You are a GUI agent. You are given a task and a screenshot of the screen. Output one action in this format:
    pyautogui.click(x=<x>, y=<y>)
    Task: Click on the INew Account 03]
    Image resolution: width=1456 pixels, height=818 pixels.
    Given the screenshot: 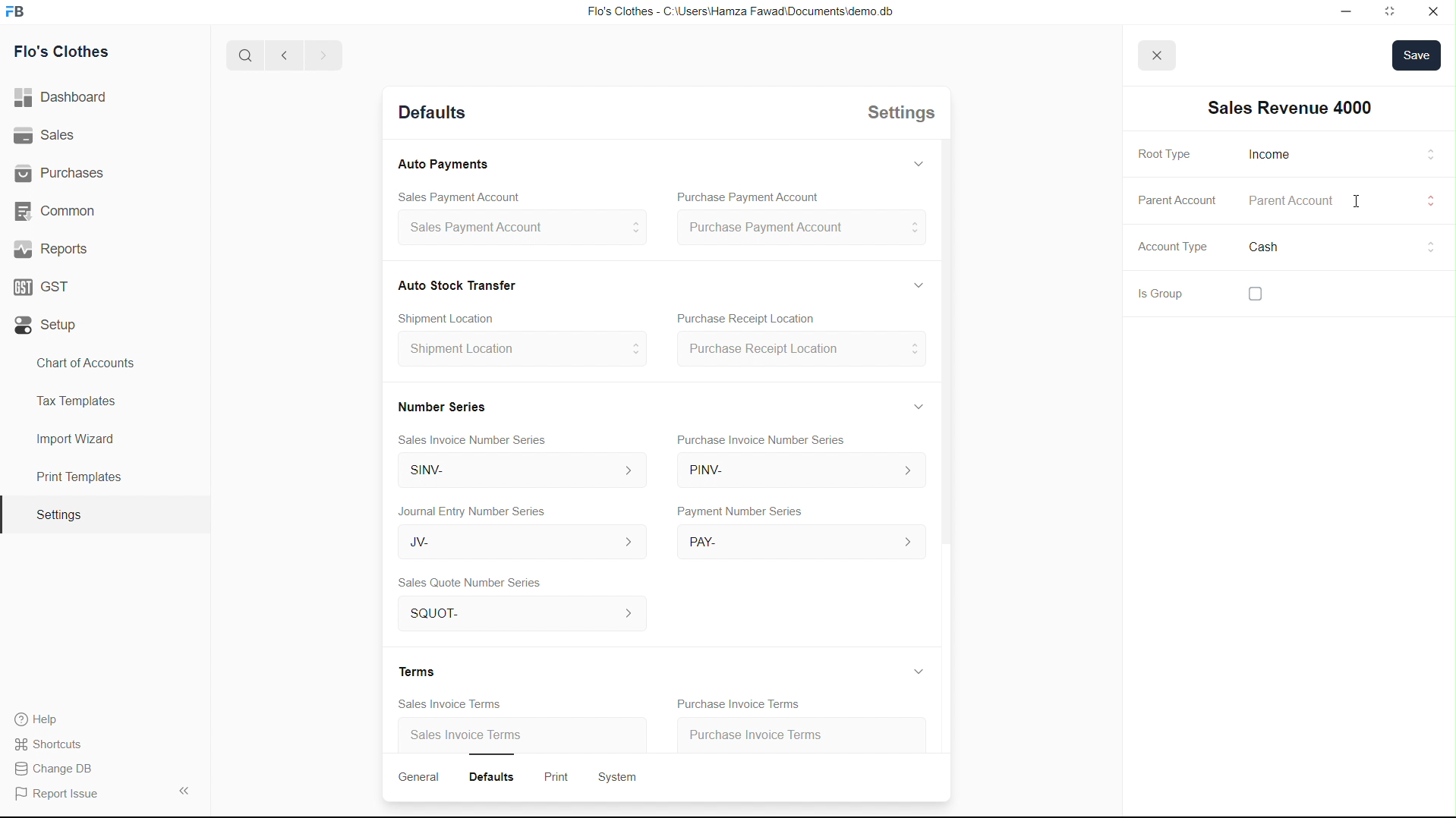 What is the action you would take?
    pyautogui.click(x=1291, y=108)
    